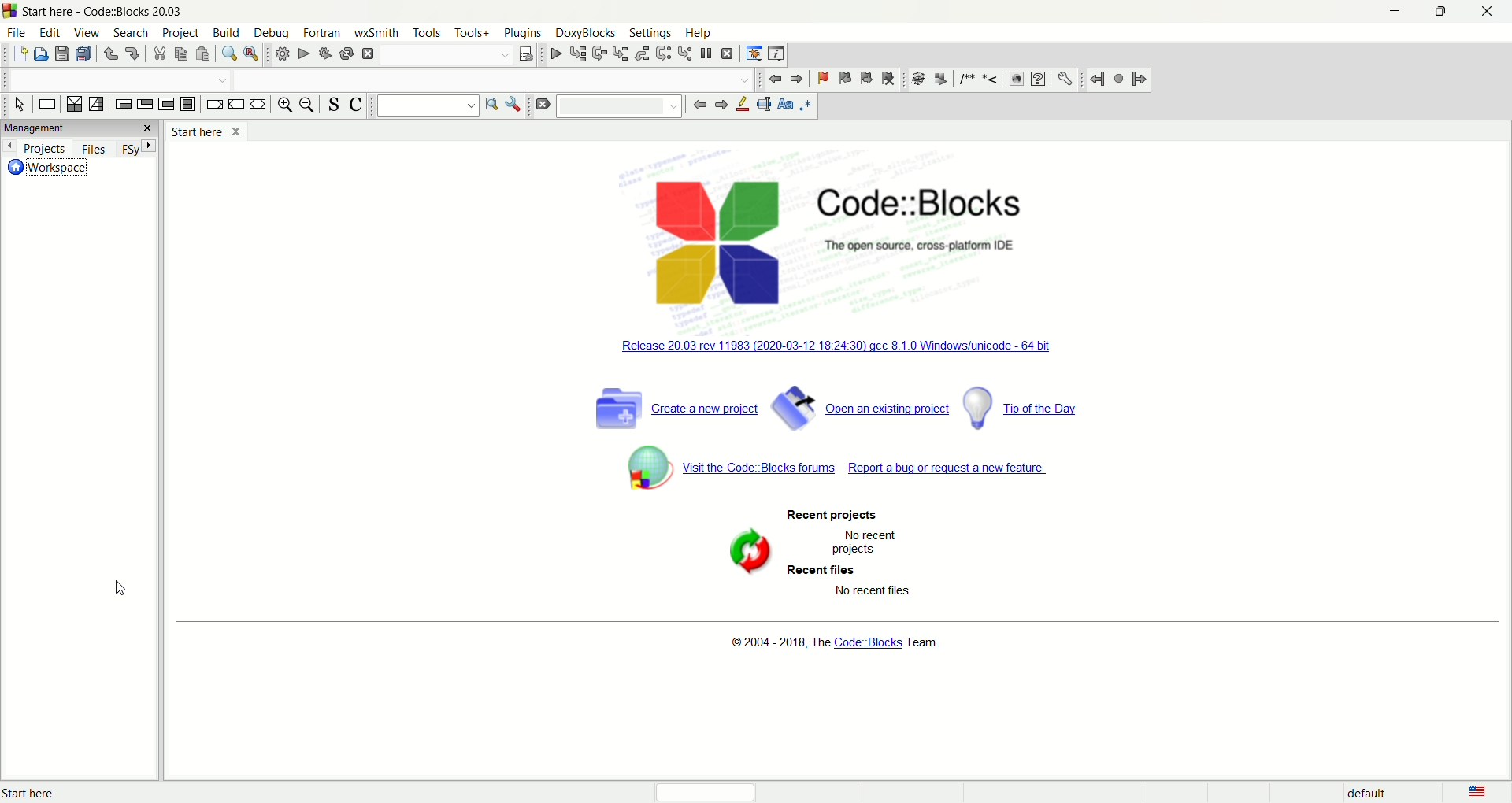 Image resolution: width=1512 pixels, height=803 pixels. I want to click on paste, so click(204, 53).